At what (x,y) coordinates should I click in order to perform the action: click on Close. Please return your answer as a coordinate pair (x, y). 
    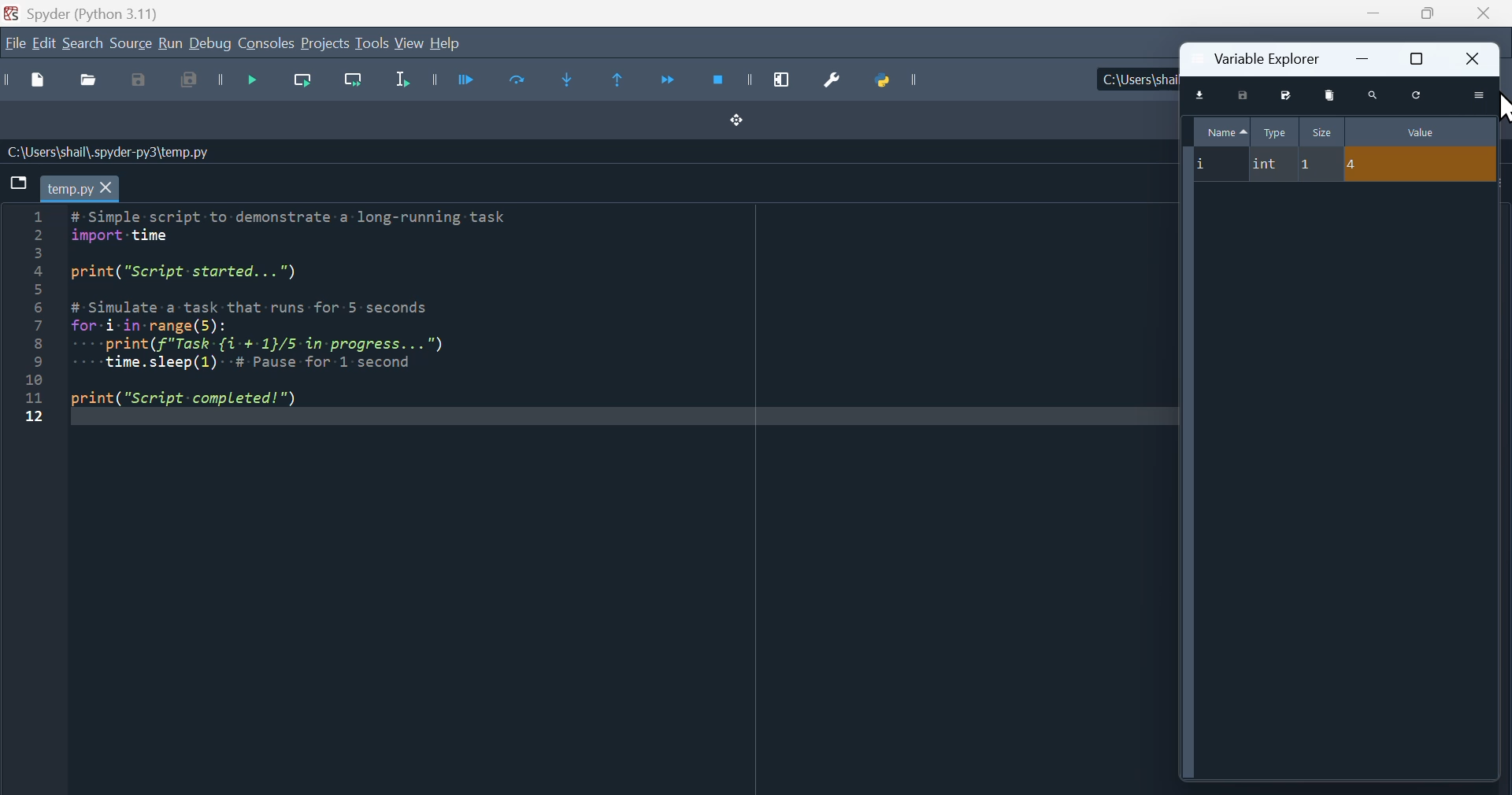
    Looking at the image, I should click on (1480, 14).